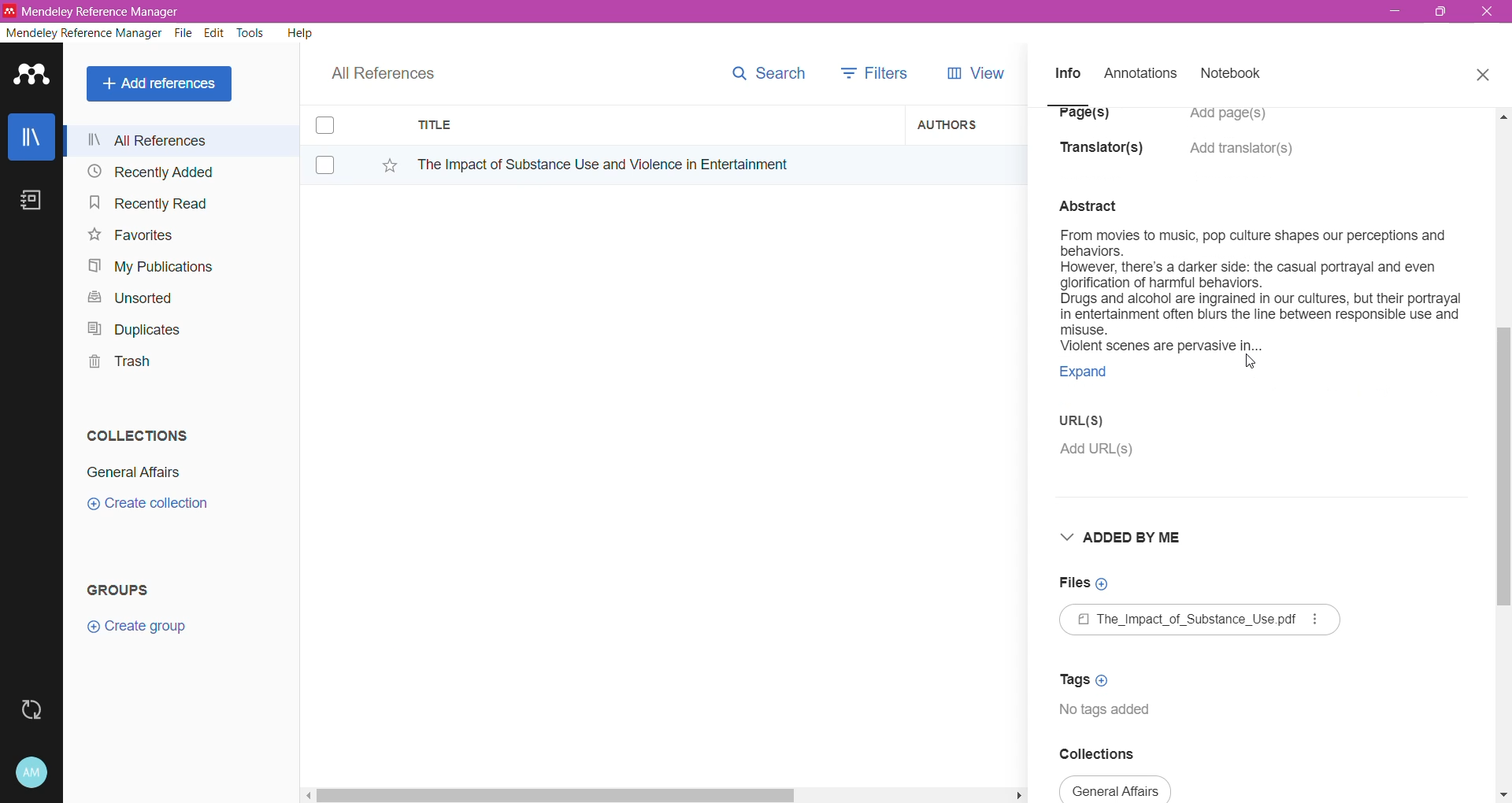 Image resolution: width=1512 pixels, height=803 pixels. Describe the element at coordinates (1113, 717) in the screenshot. I see `Tags available for the document` at that location.